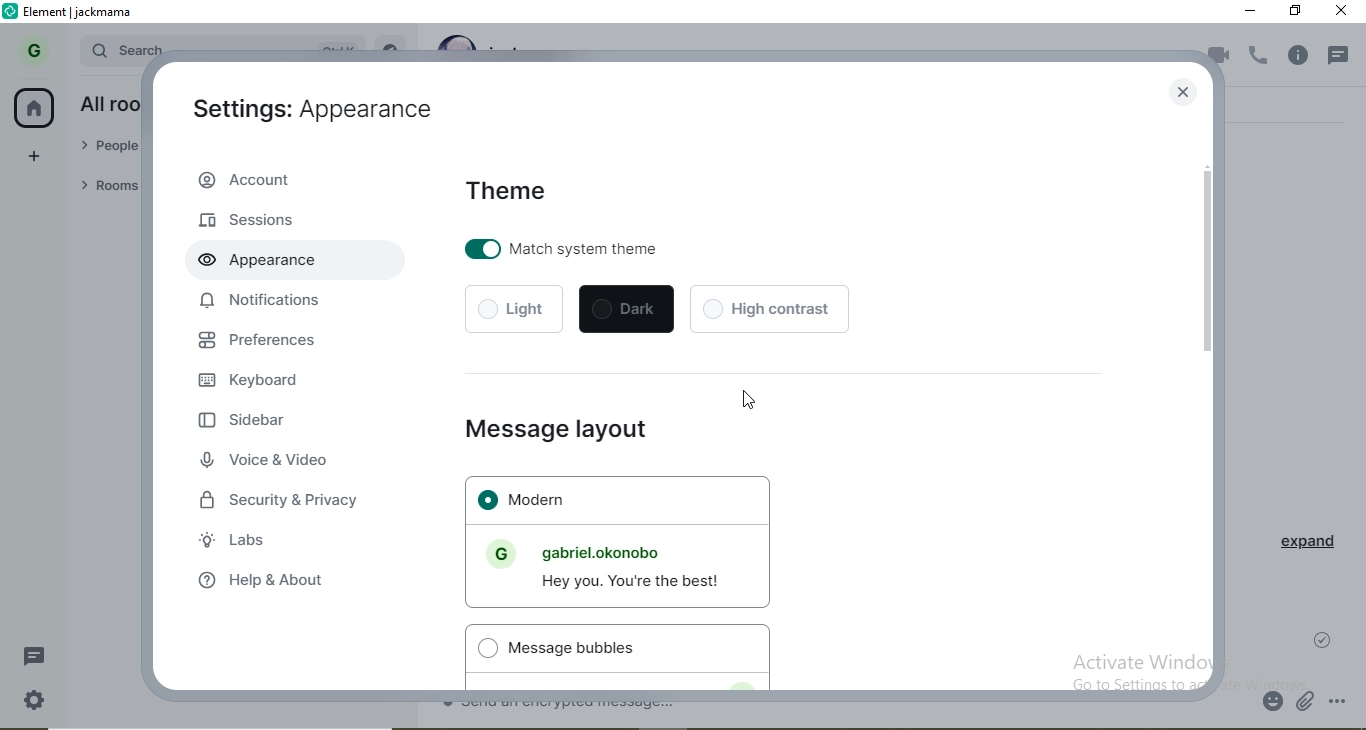 This screenshot has height=730, width=1366. I want to click on sessions, so click(250, 219).